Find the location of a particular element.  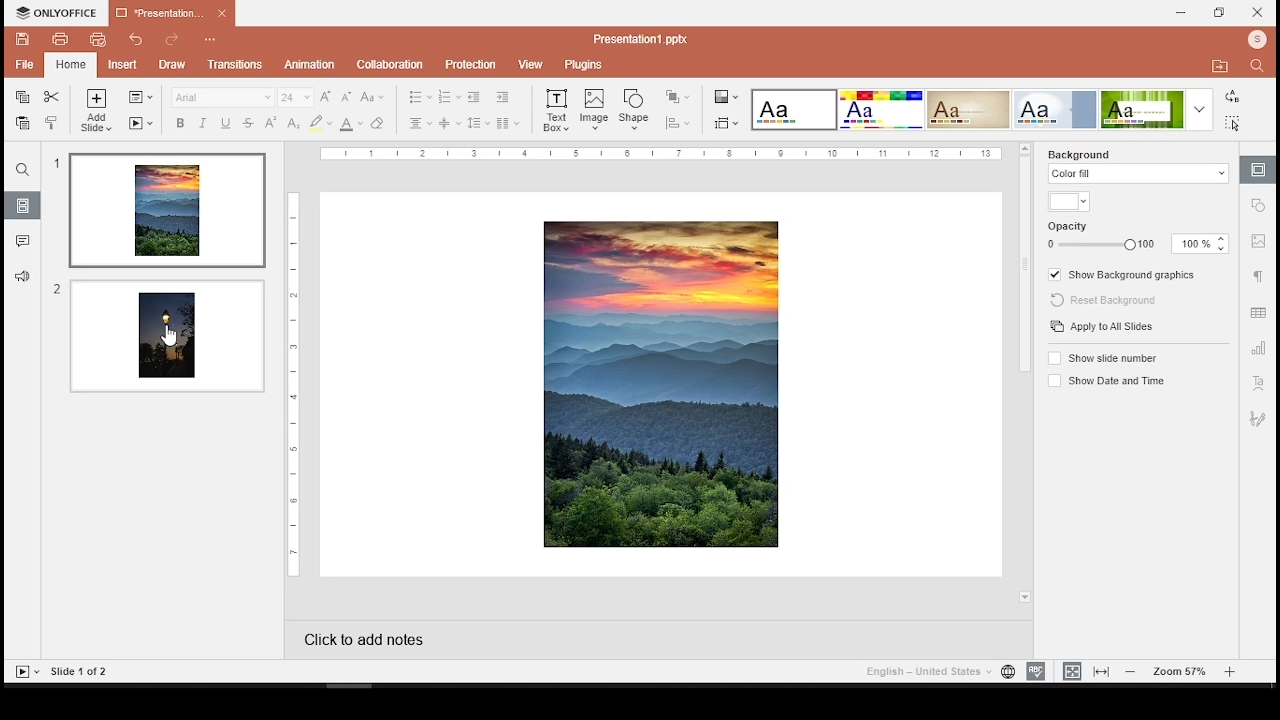

zoom level is located at coordinates (1180, 671).